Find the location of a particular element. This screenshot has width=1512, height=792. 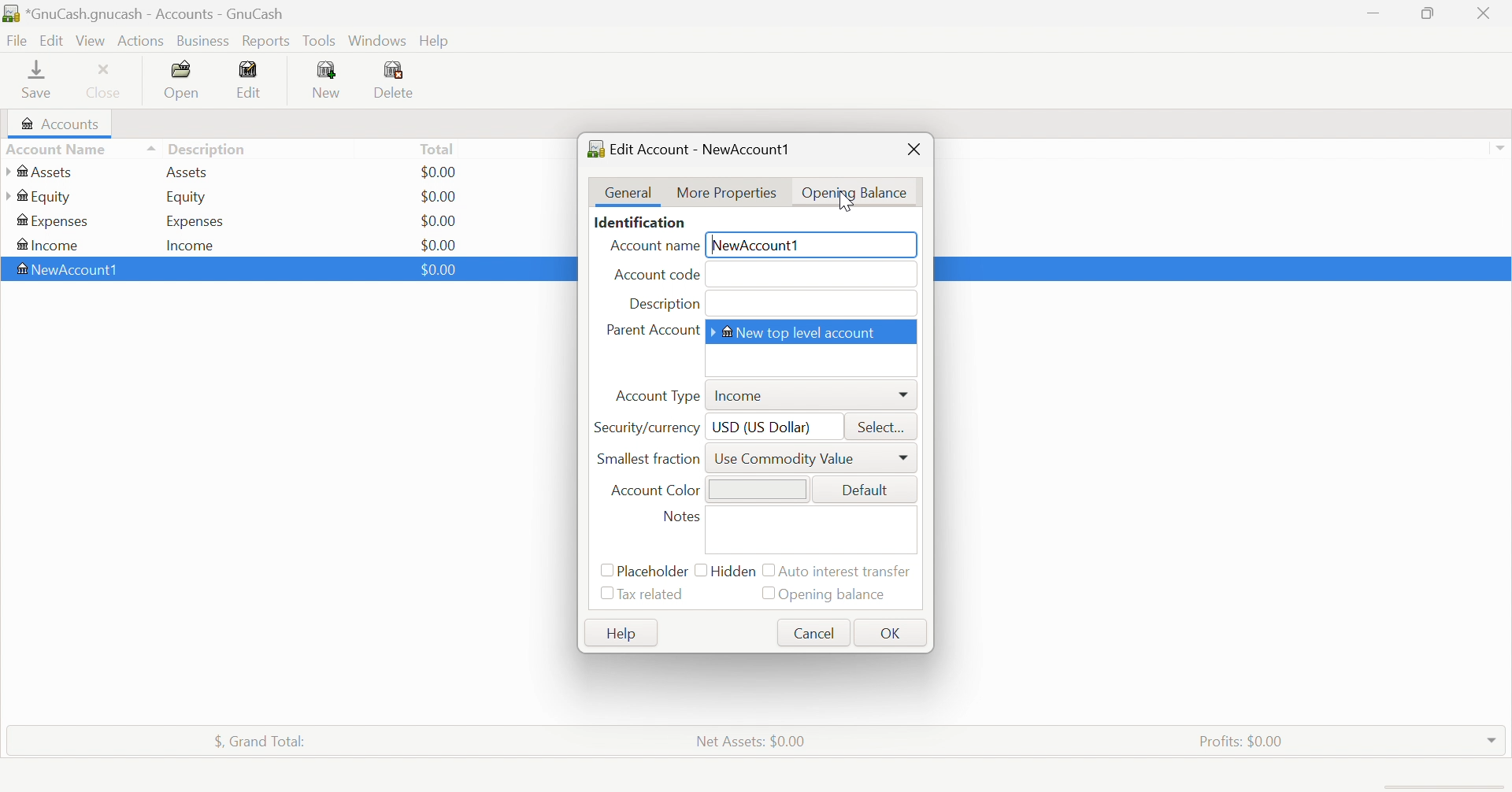

$0.00 is located at coordinates (443, 172).